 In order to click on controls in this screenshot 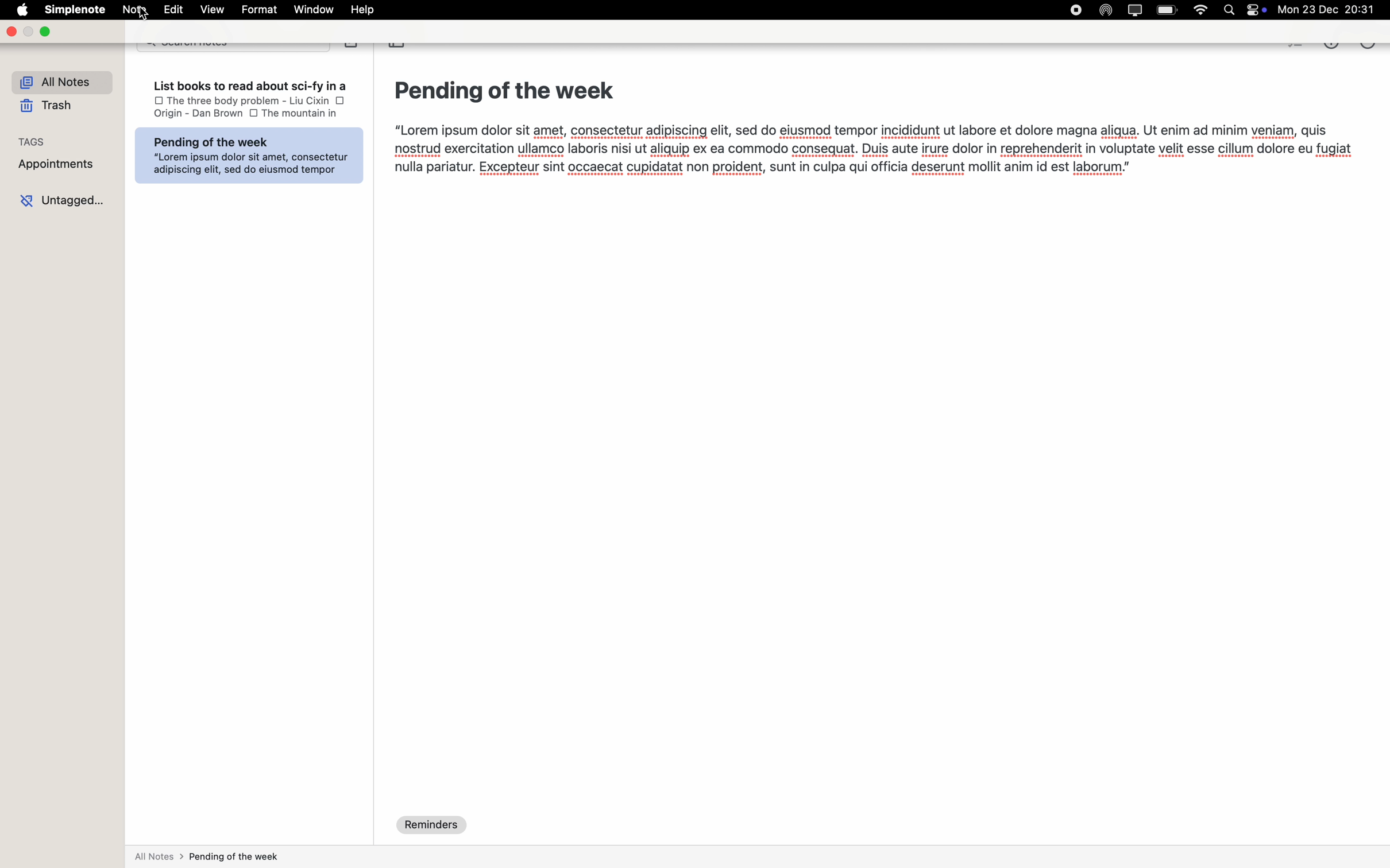, I will do `click(1256, 9)`.